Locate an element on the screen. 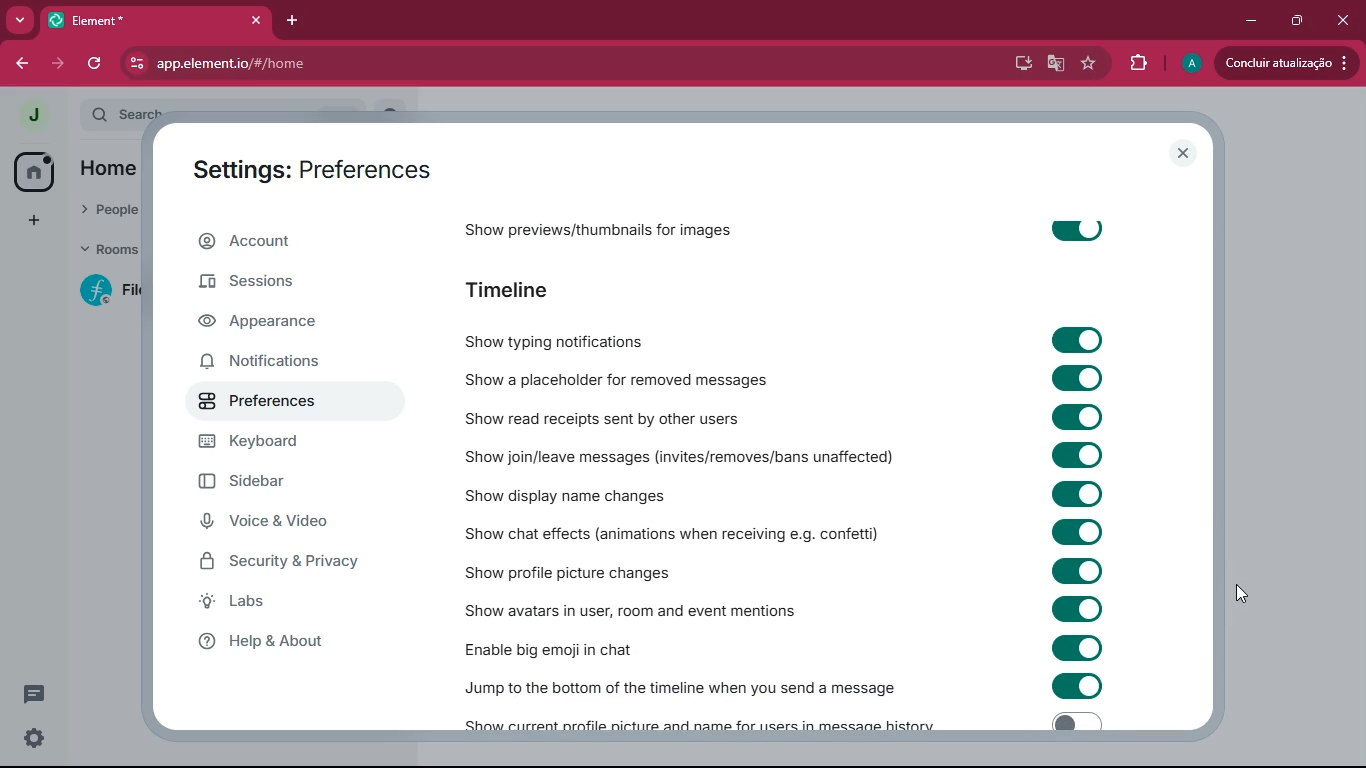 This screenshot has height=768, width=1366. close is located at coordinates (254, 20).